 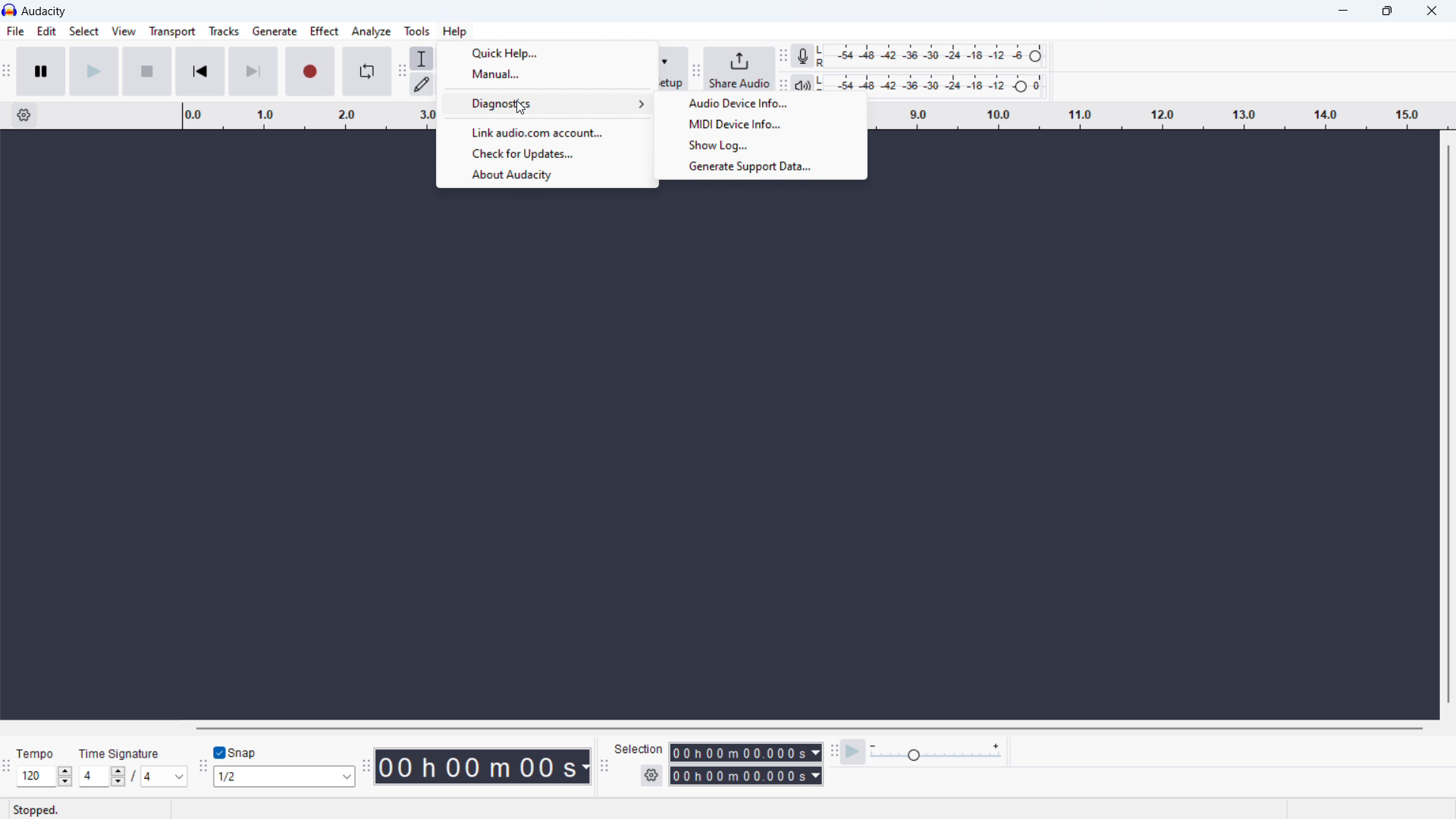 What do you see at coordinates (1445, 428) in the screenshot?
I see `Vertical scroll bar` at bounding box center [1445, 428].